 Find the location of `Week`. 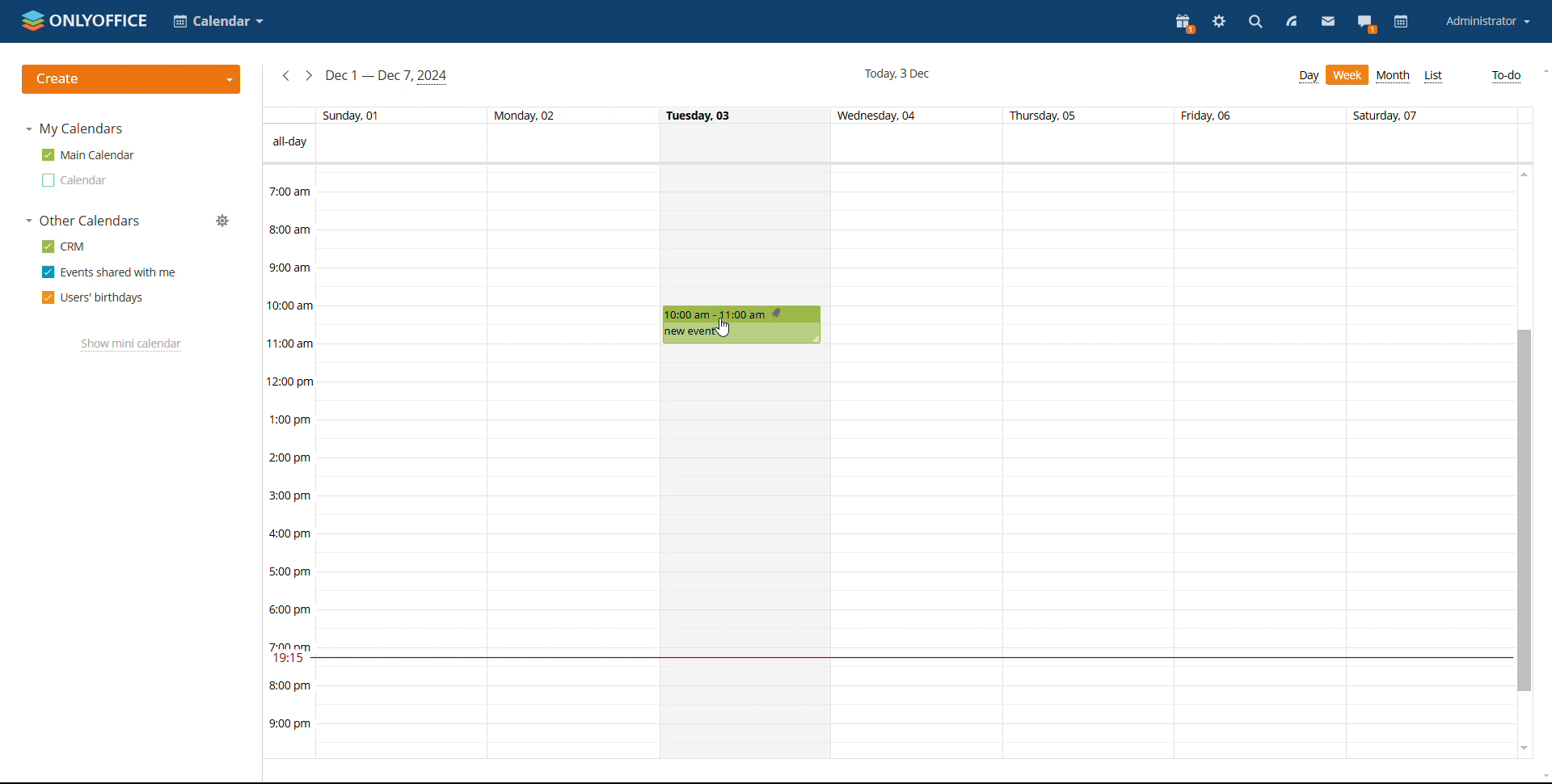

Week is located at coordinates (1348, 75).